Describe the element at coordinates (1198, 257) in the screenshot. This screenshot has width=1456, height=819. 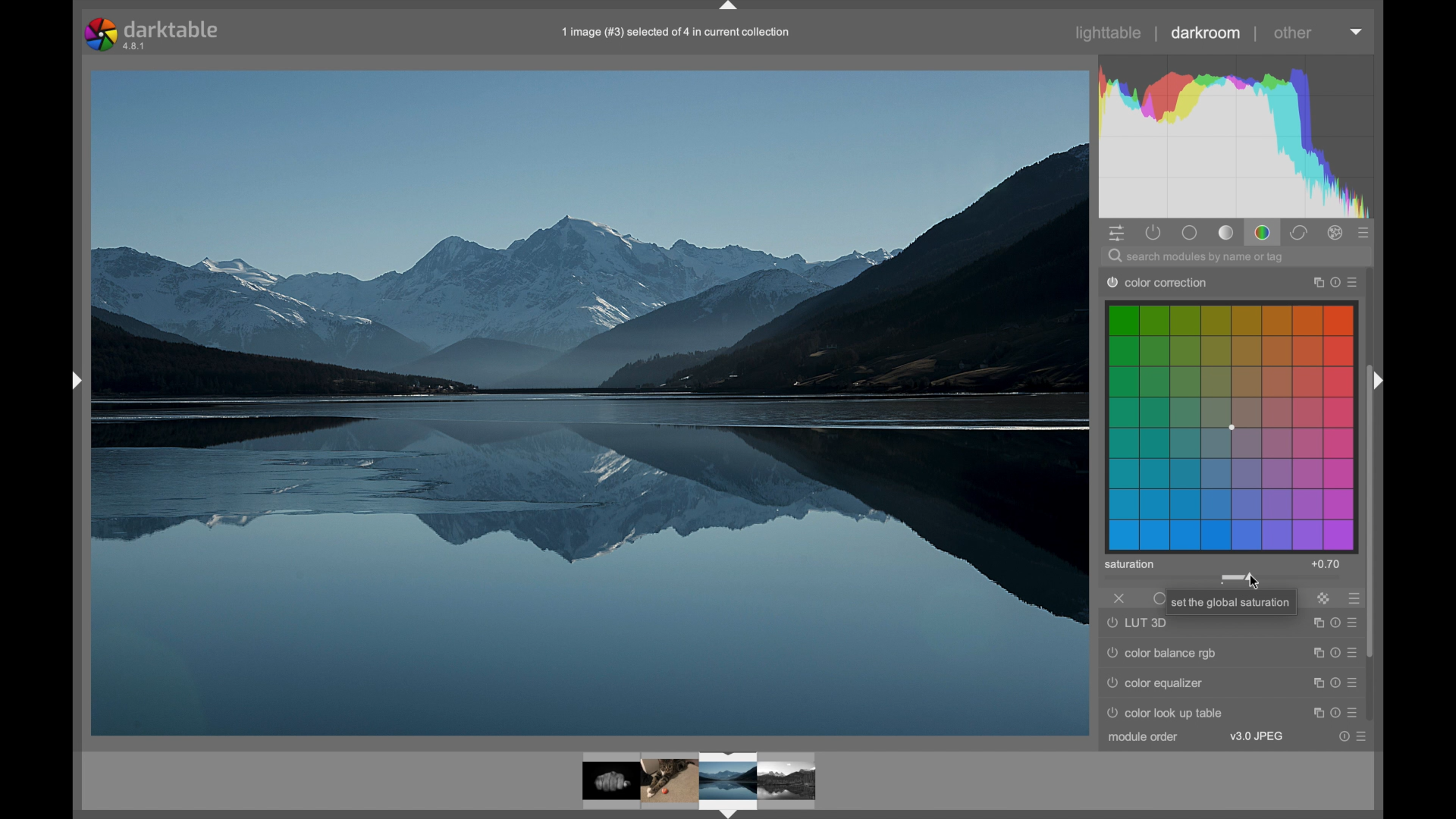
I see `search` at that location.